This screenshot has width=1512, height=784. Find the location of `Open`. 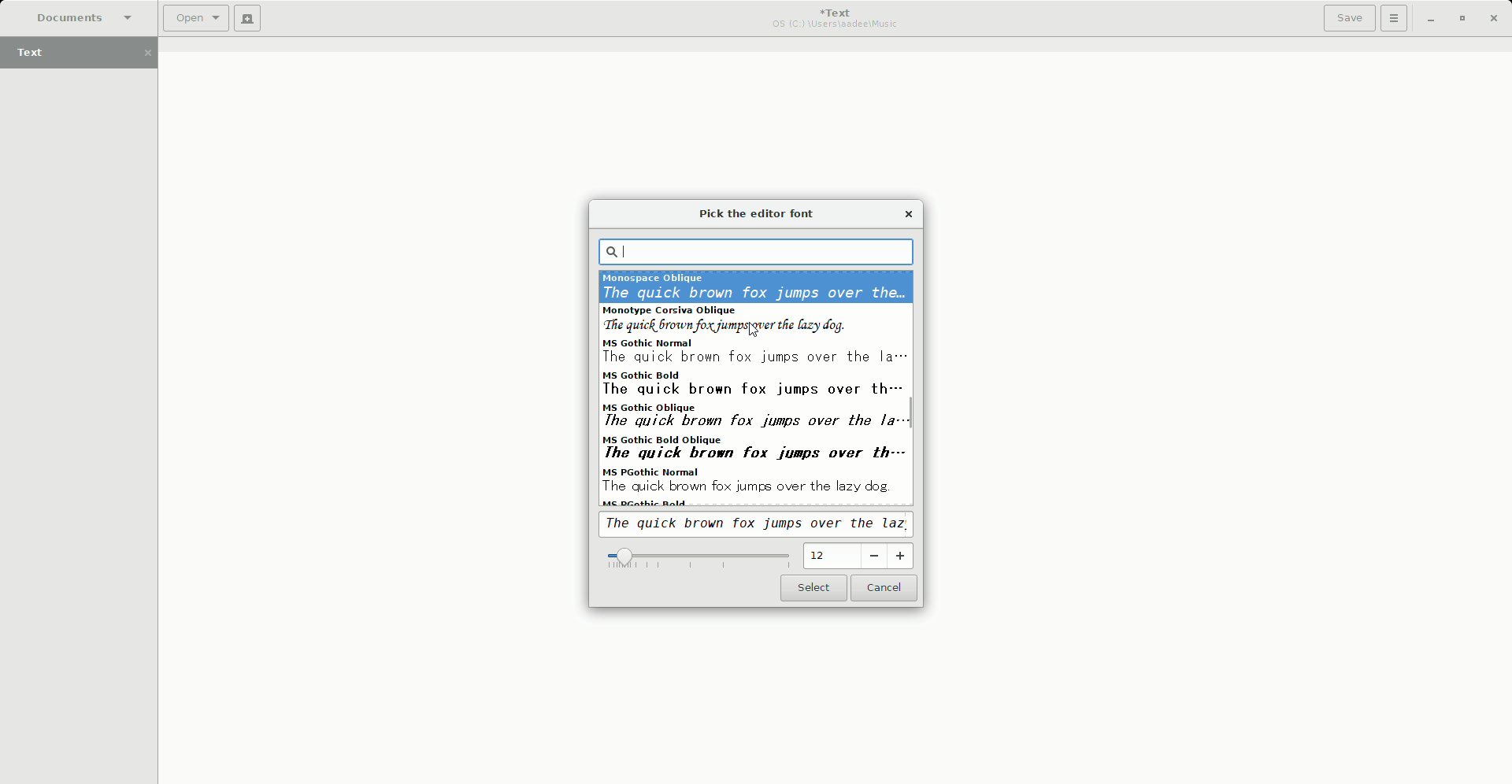

Open is located at coordinates (196, 19).